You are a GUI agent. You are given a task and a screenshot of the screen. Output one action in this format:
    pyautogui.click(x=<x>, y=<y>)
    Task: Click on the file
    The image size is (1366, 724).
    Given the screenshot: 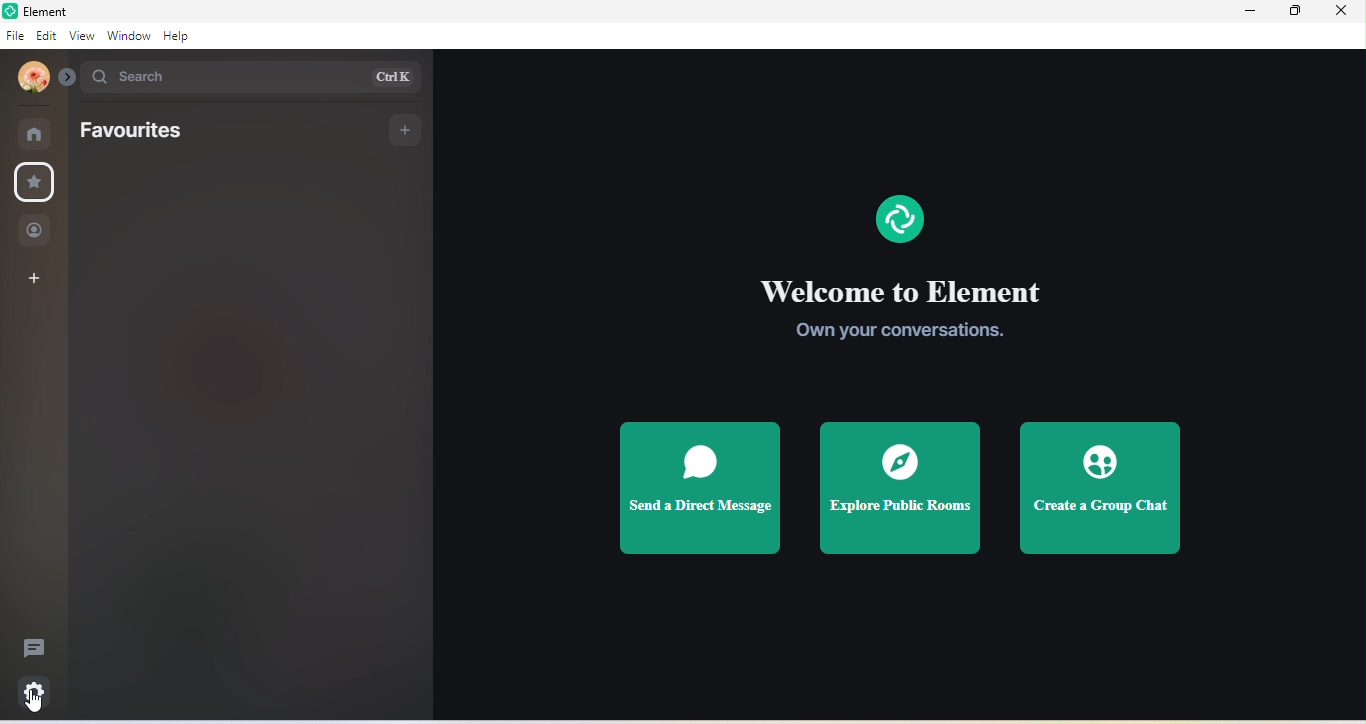 What is the action you would take?
    pyautogui.click(x=15, y=36)
    